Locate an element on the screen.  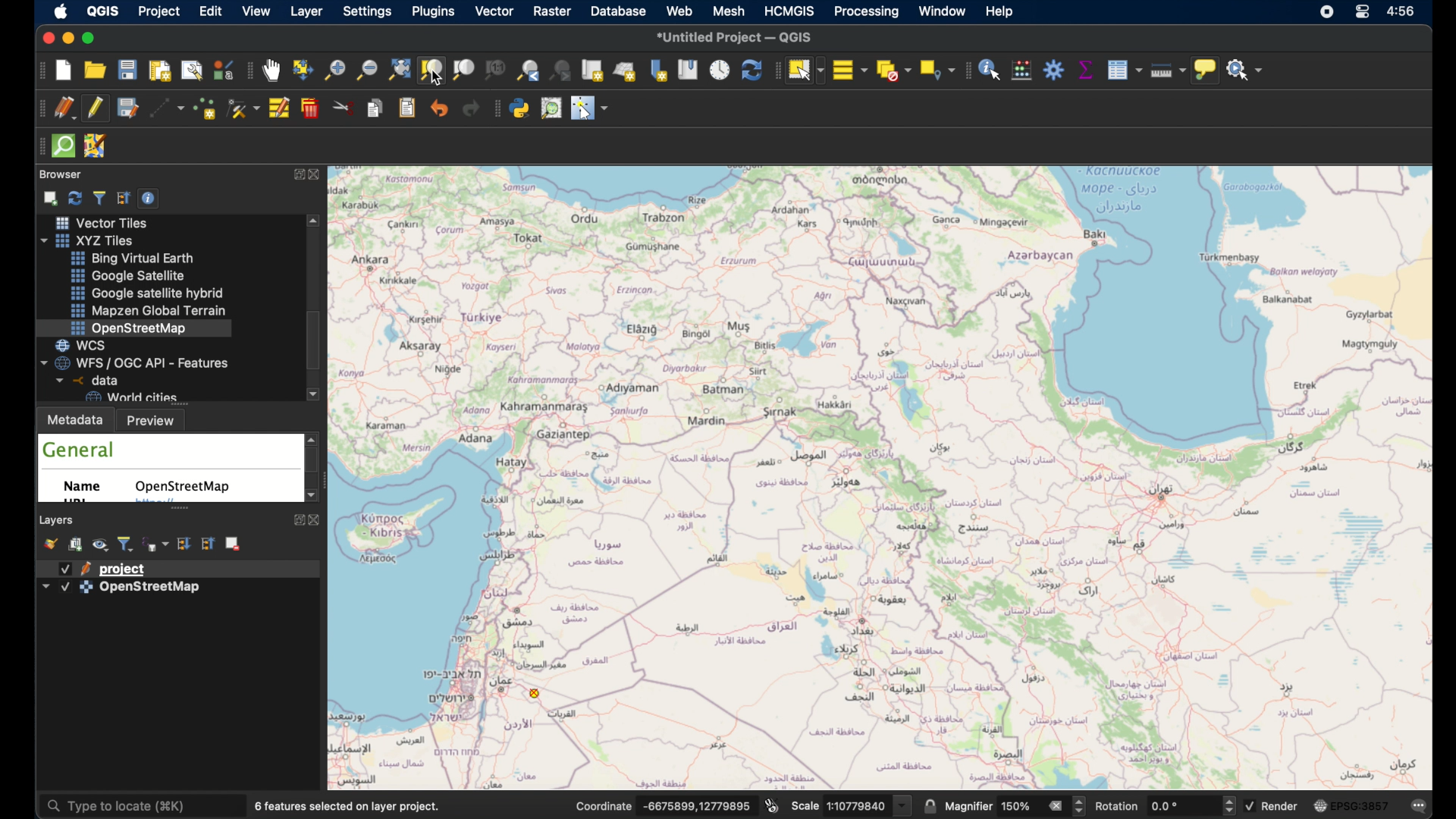
vertex tool is located at coordinates (243, 108).